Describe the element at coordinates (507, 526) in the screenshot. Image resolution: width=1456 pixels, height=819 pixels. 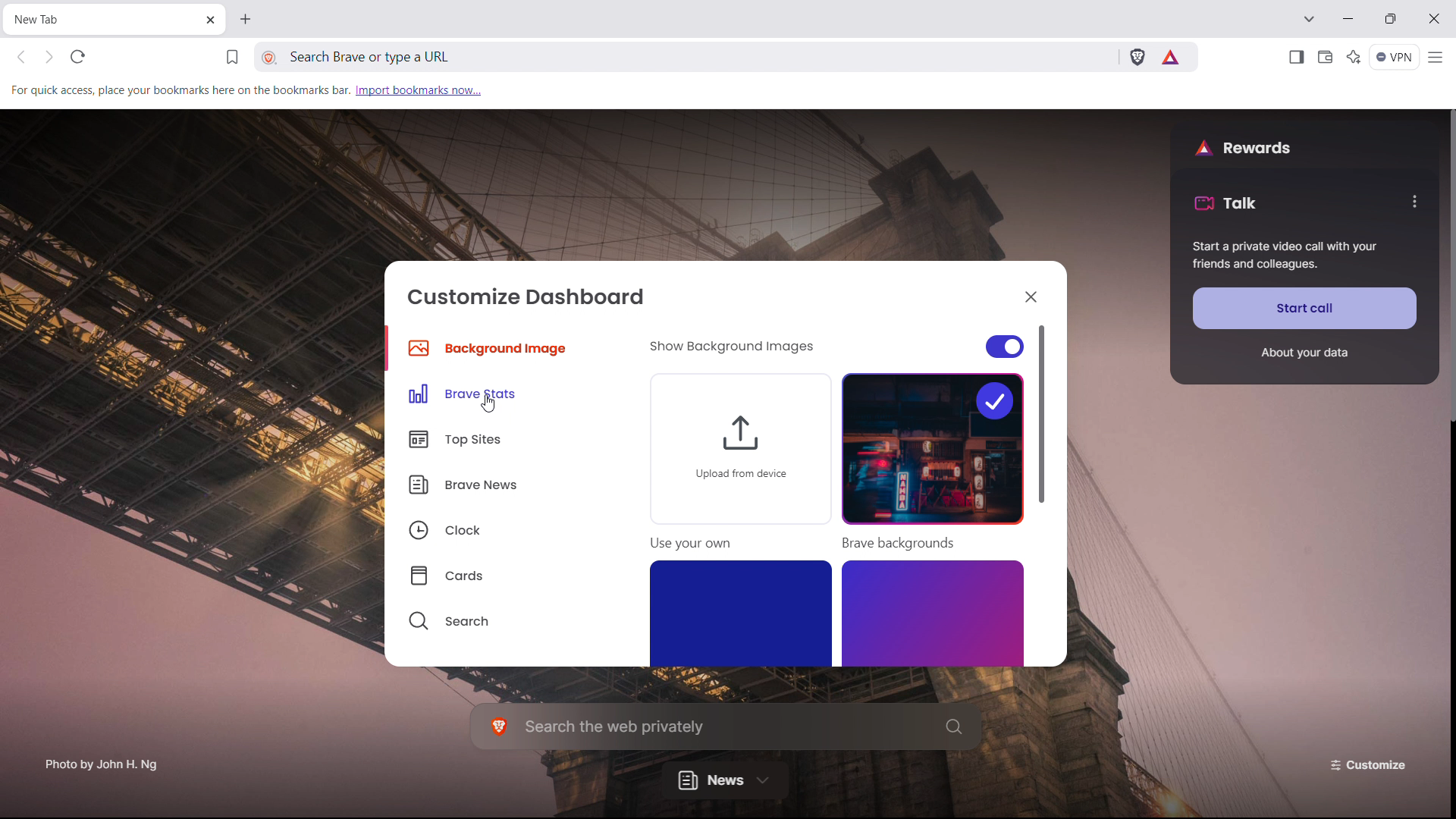
I see `clock` at that location.